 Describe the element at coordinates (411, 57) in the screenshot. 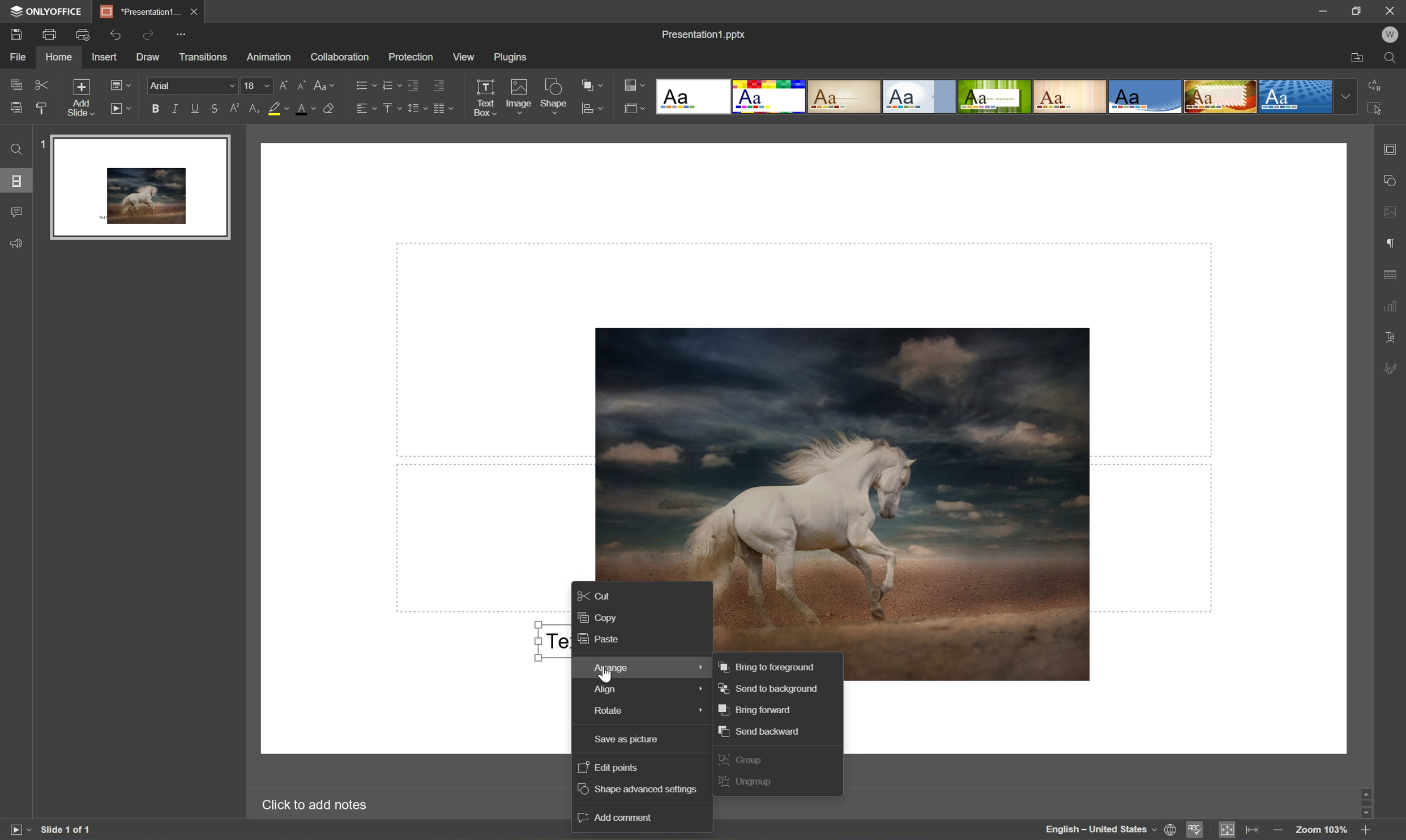

I see `Protection` at that location.